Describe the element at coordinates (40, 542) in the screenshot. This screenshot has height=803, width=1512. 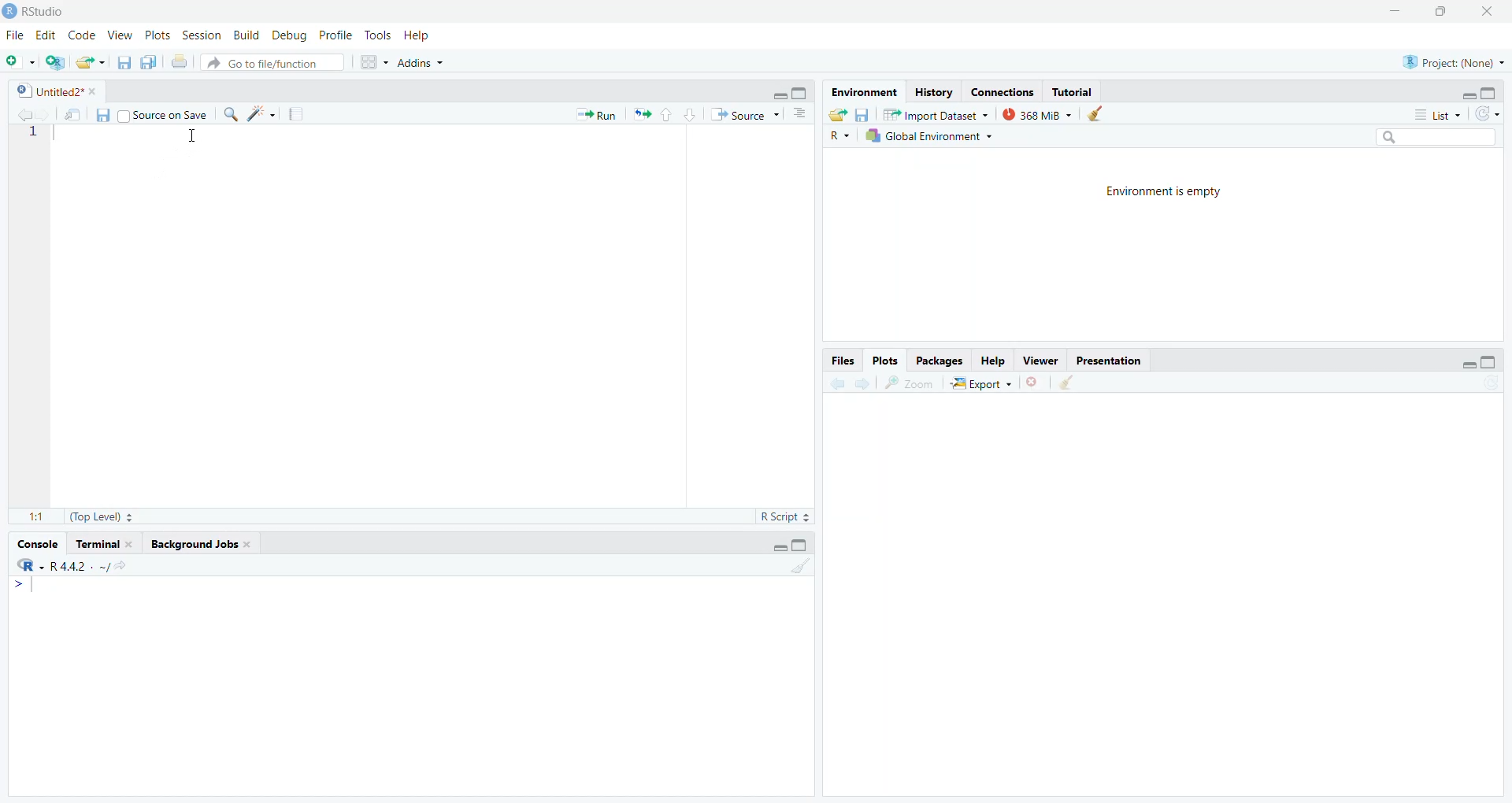
I see `Console` at that location.